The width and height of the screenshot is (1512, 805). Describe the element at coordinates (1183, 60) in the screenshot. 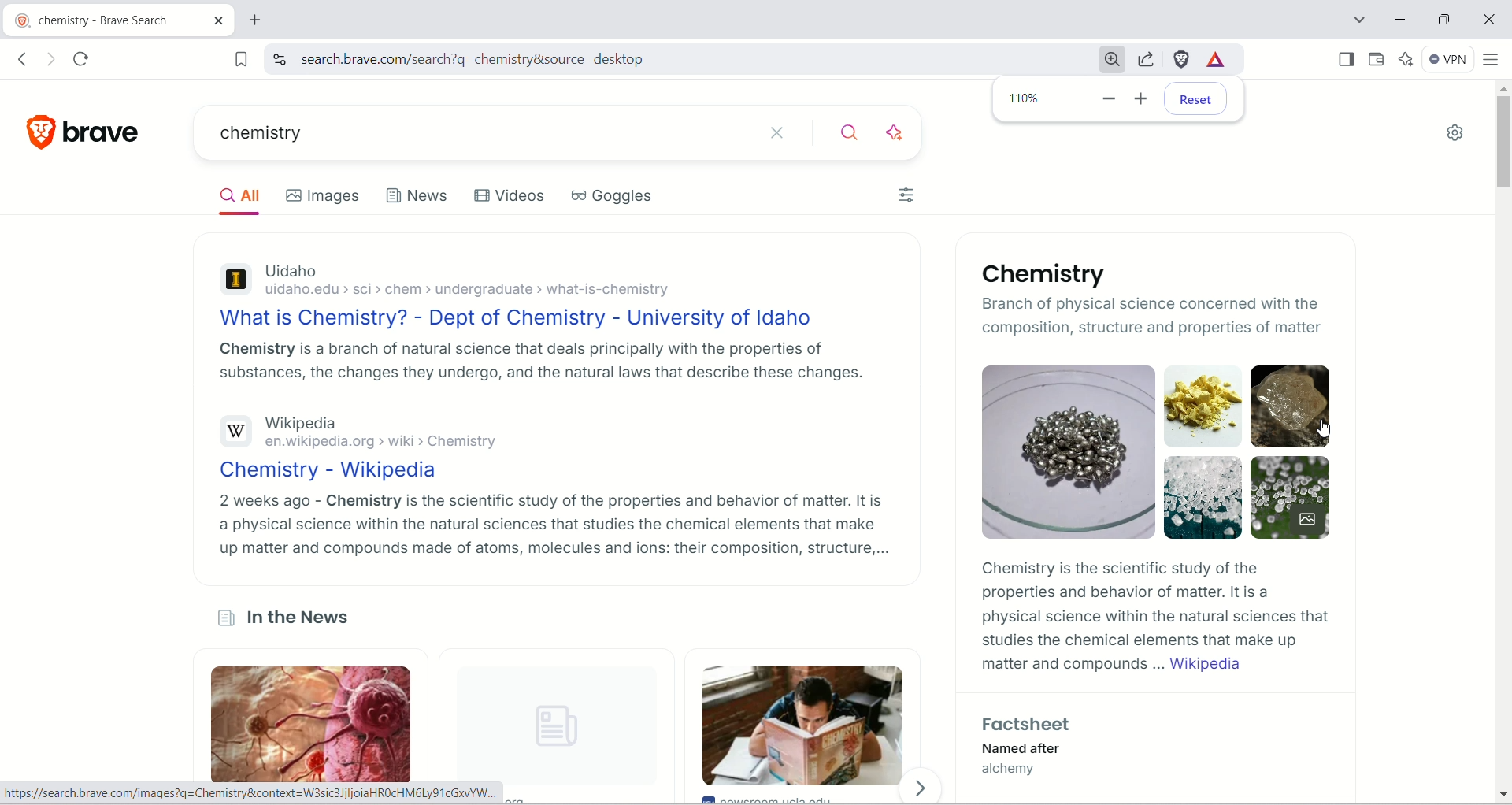

I see `brave schield` at that location.